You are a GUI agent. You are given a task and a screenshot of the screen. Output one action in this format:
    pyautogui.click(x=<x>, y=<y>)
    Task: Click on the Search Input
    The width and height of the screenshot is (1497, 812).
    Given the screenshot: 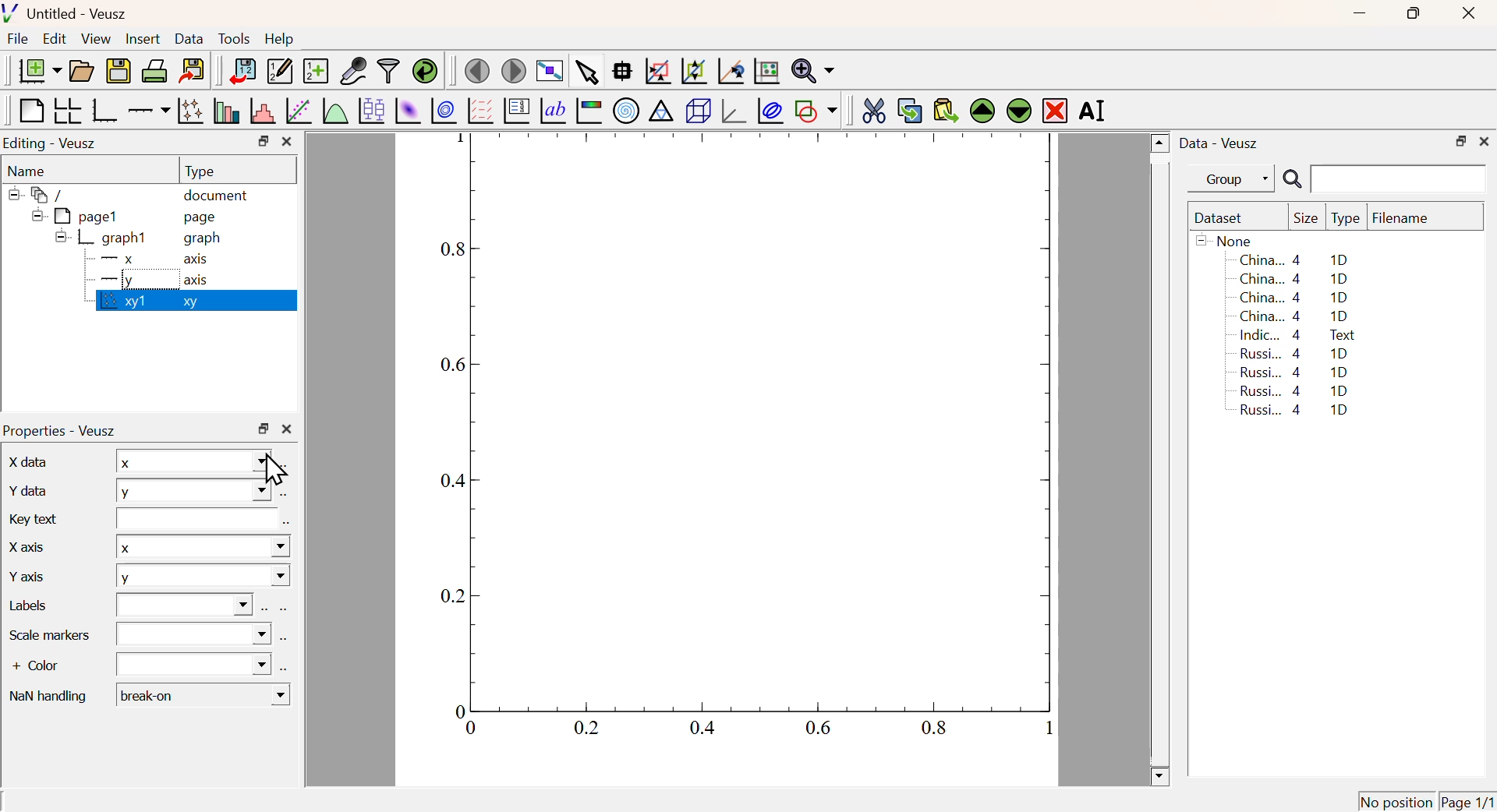 What is the action you would take?
    pyautogui.click(x=1400, y=178)
    